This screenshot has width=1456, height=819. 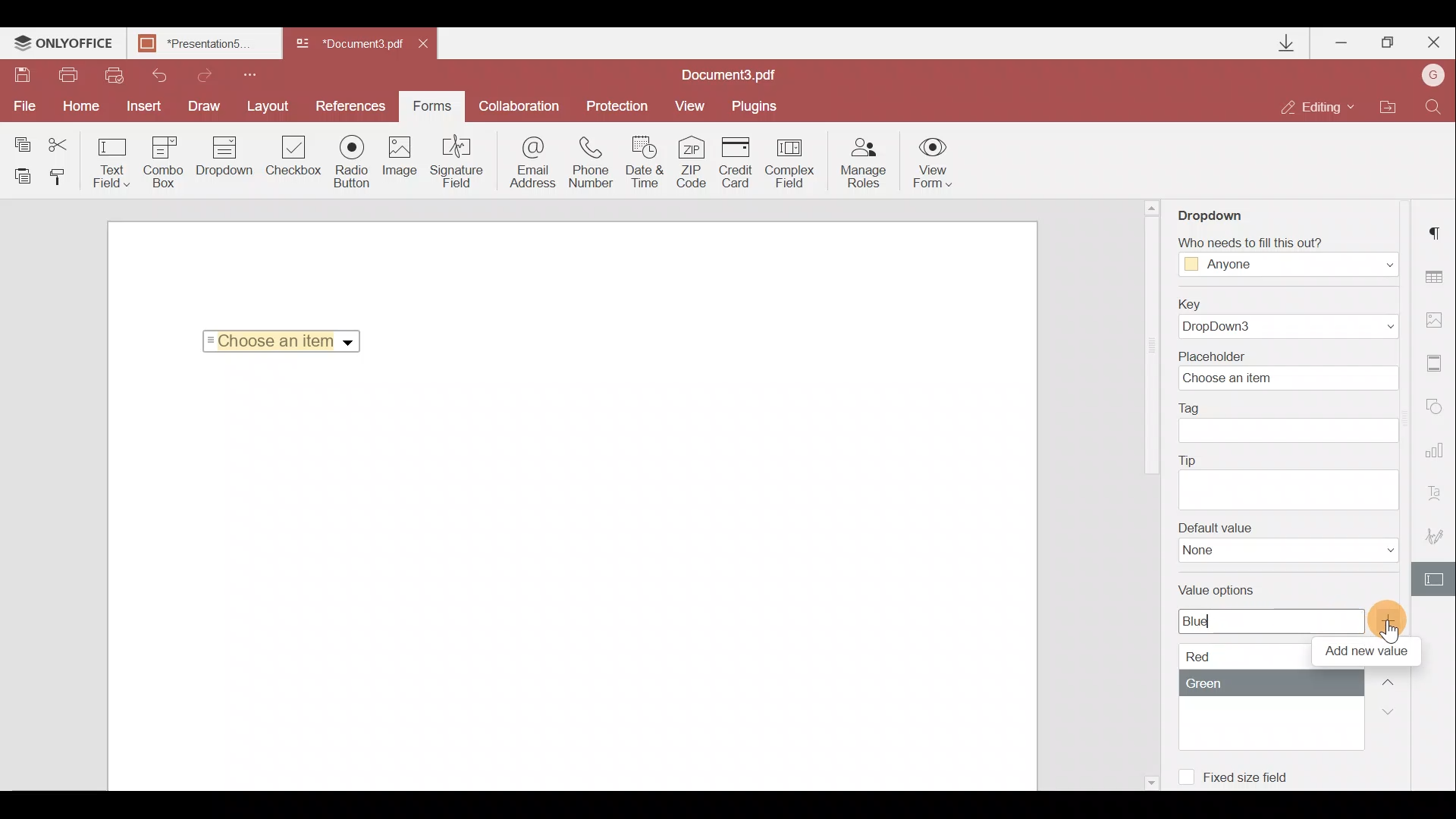 I want to click on Fixed size field, so click(x=1255, y=780).